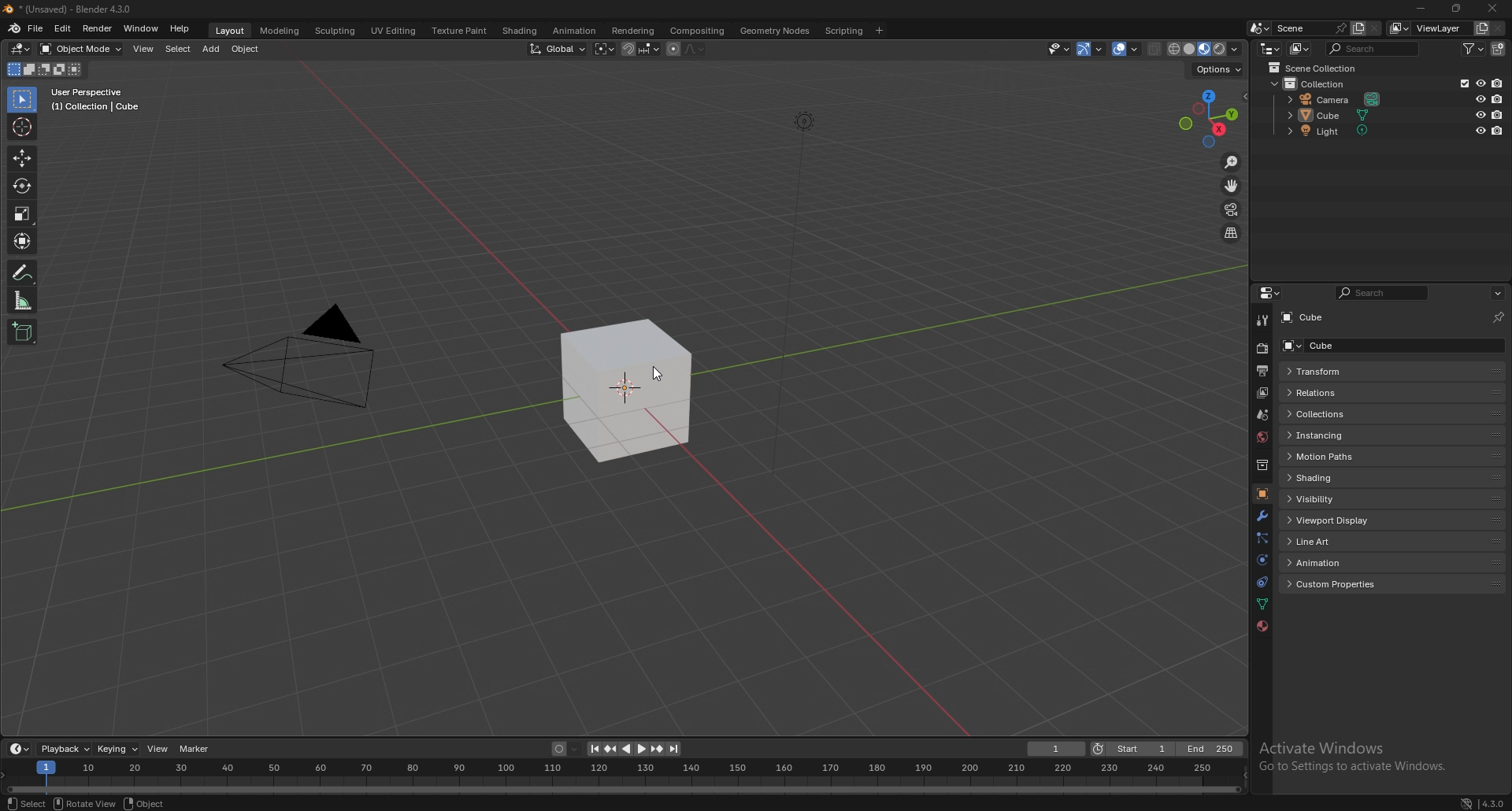  What do you see at coordinates (1262, 413) in the screenshot?
I see `scene` at bounding box center [1262, 413].